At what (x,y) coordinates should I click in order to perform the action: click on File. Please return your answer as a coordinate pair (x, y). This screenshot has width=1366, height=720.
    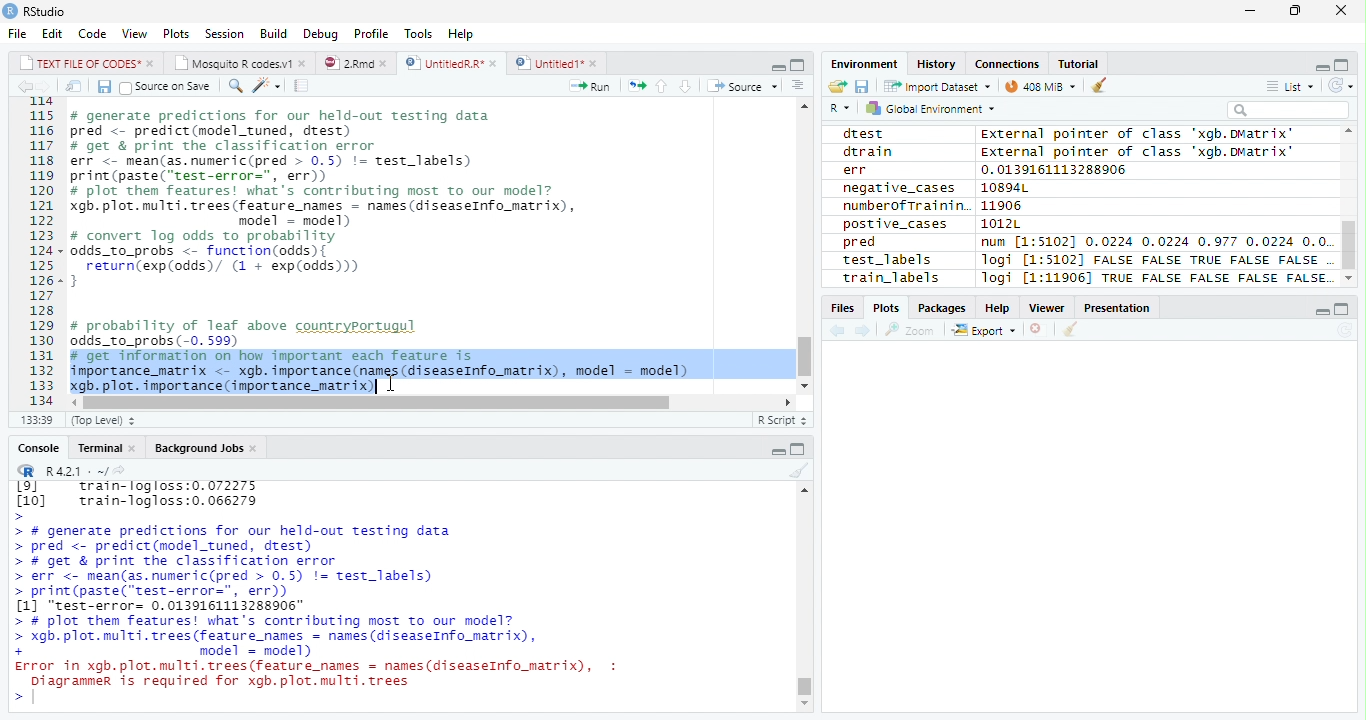
    Looking at the image, I should click on (16, 33).